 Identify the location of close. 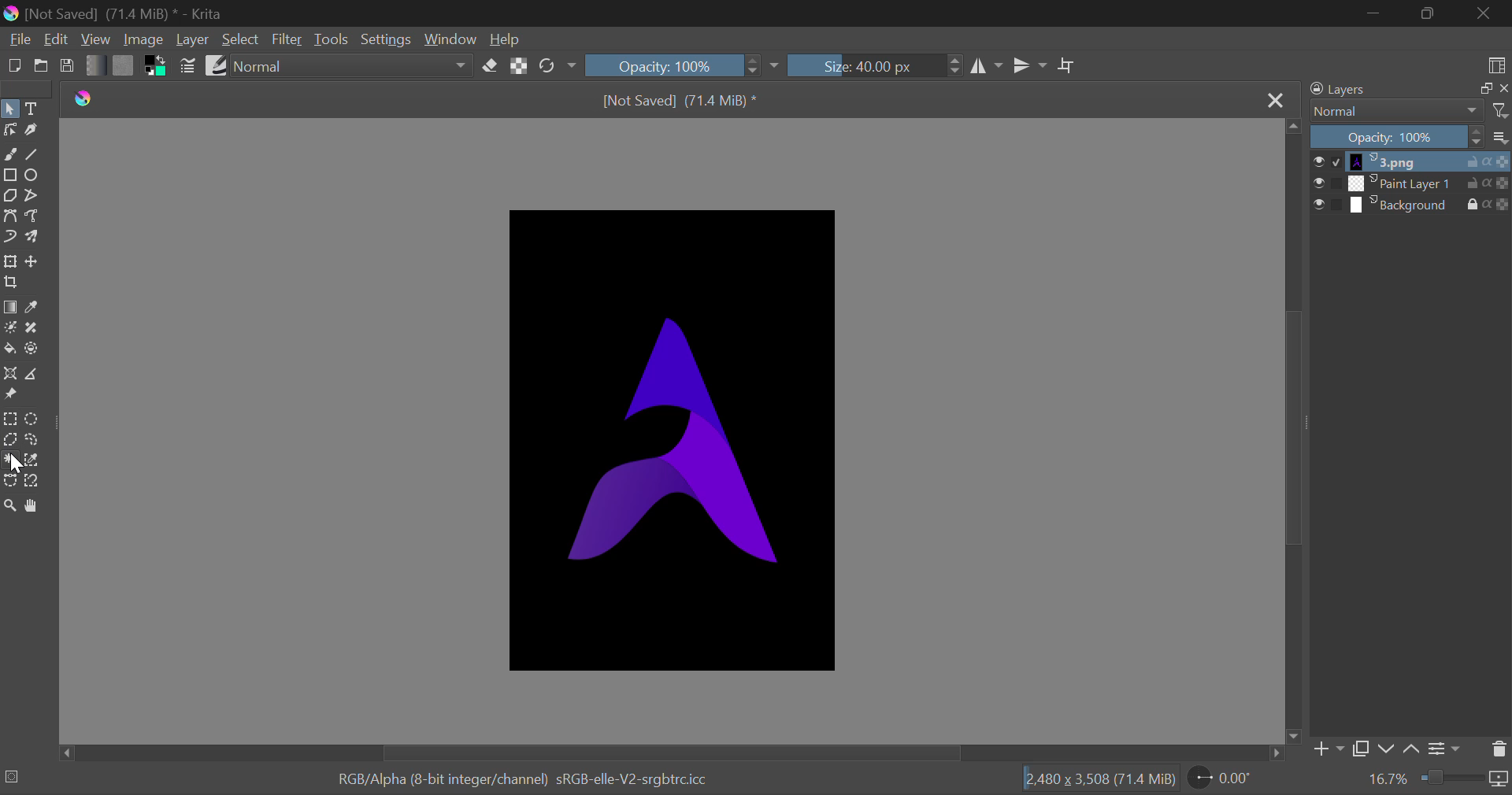
(1503, 87).